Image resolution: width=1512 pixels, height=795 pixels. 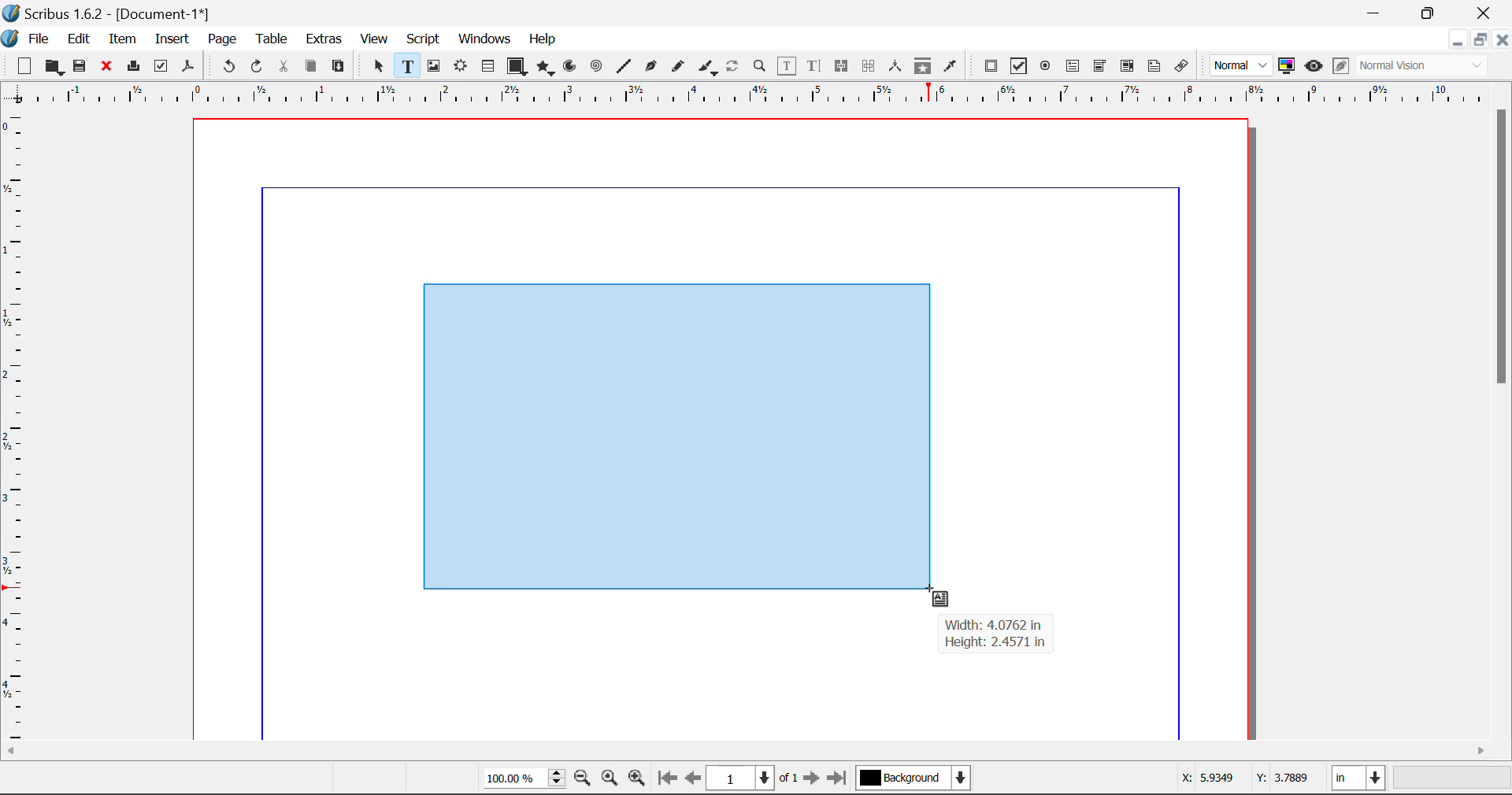 What do you see at coordinates (406, 65) in the screenshot?
I see `Text Frame Selected` at bounding box center [406, 65].